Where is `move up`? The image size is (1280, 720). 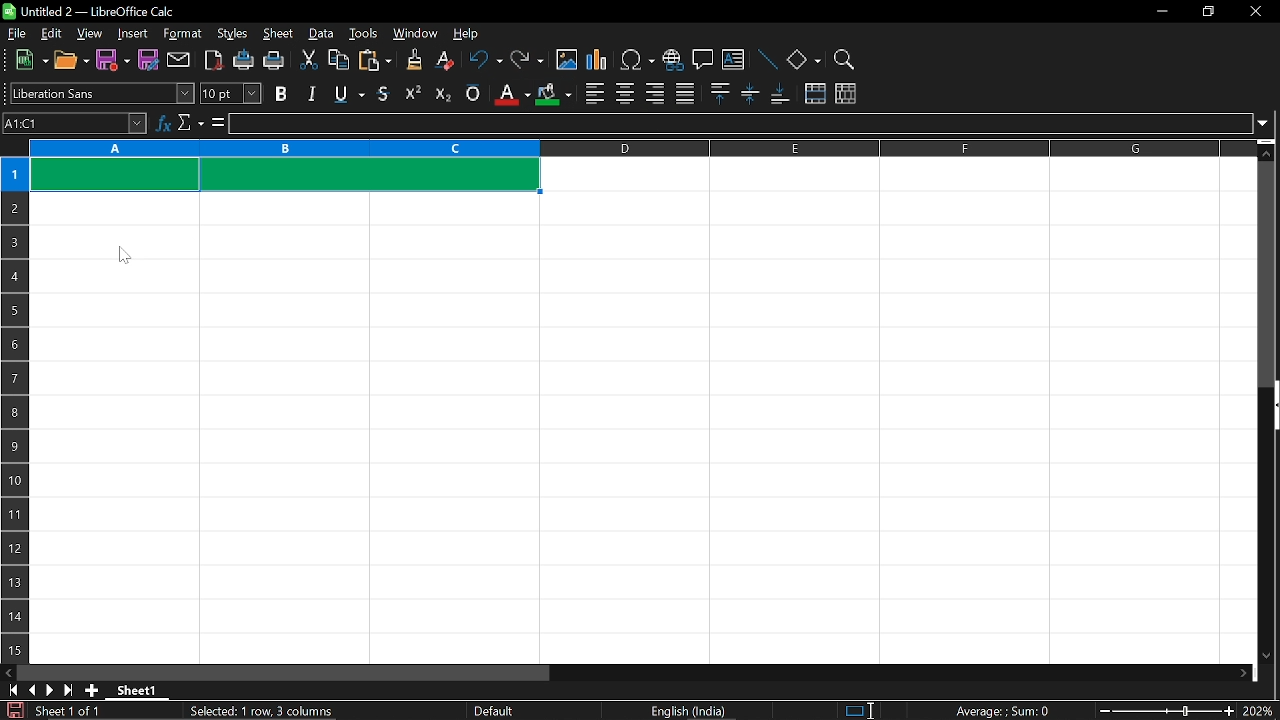
move up is located at coordinates (1269, 151).